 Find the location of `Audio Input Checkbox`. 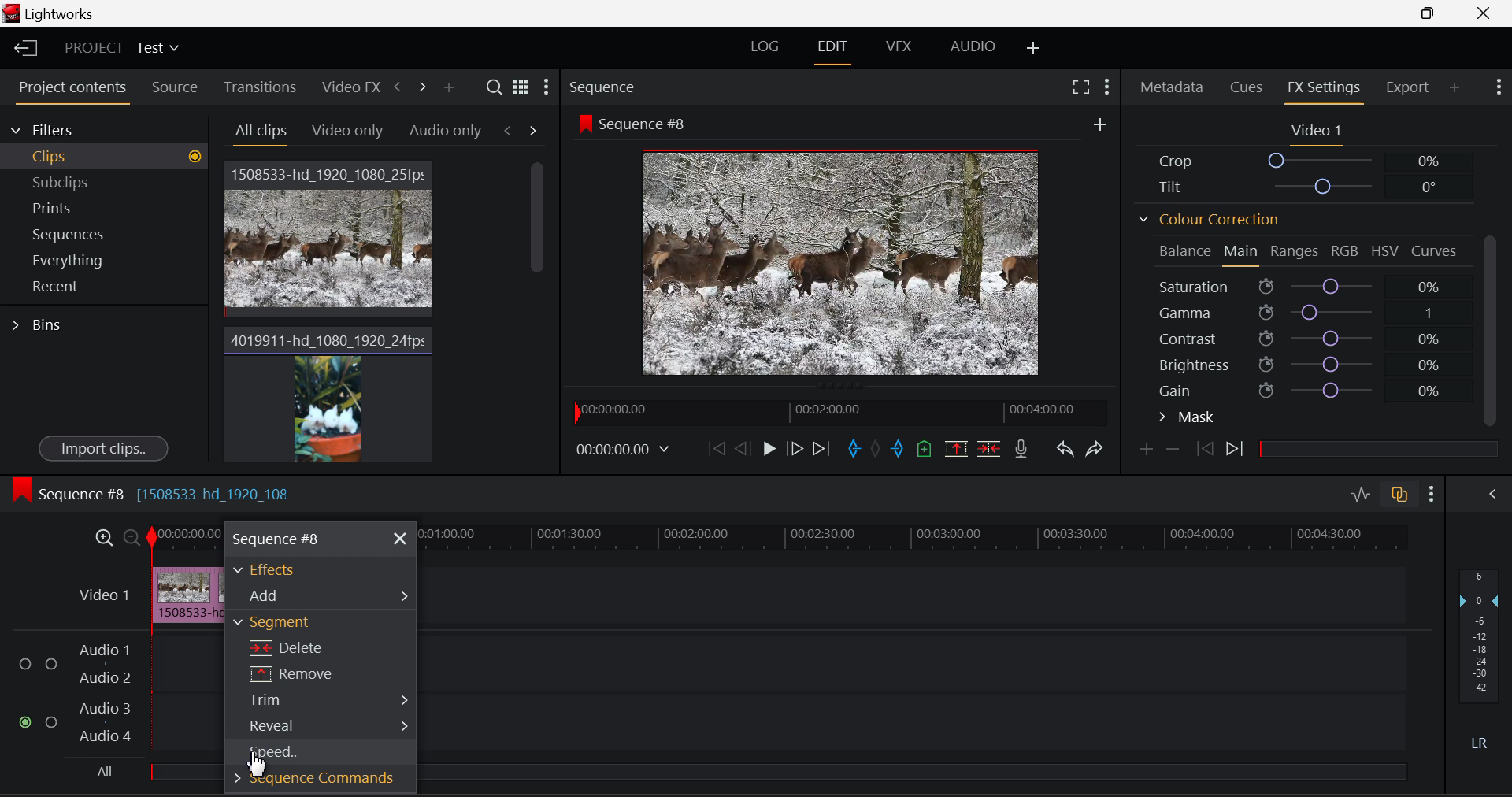

Audio Input Checkbox is located at coordinates (50, 664).